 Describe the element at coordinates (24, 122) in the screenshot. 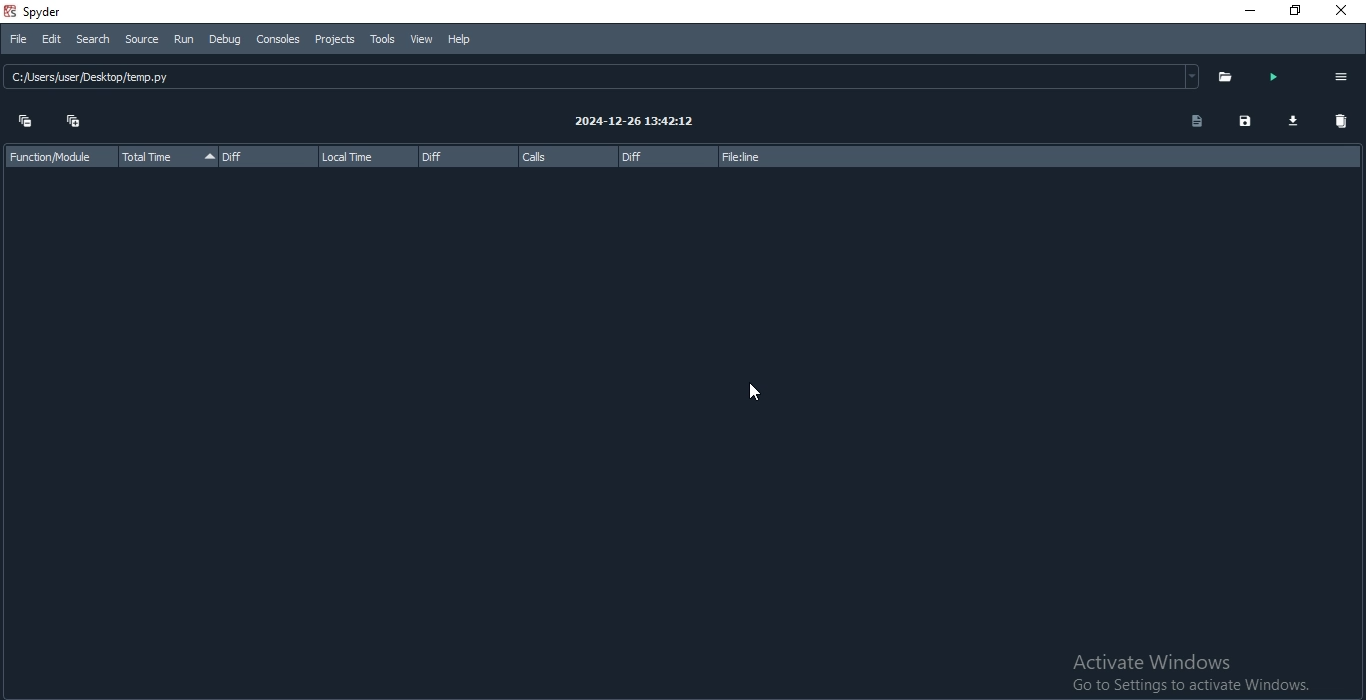

I see `collapse` at that location.